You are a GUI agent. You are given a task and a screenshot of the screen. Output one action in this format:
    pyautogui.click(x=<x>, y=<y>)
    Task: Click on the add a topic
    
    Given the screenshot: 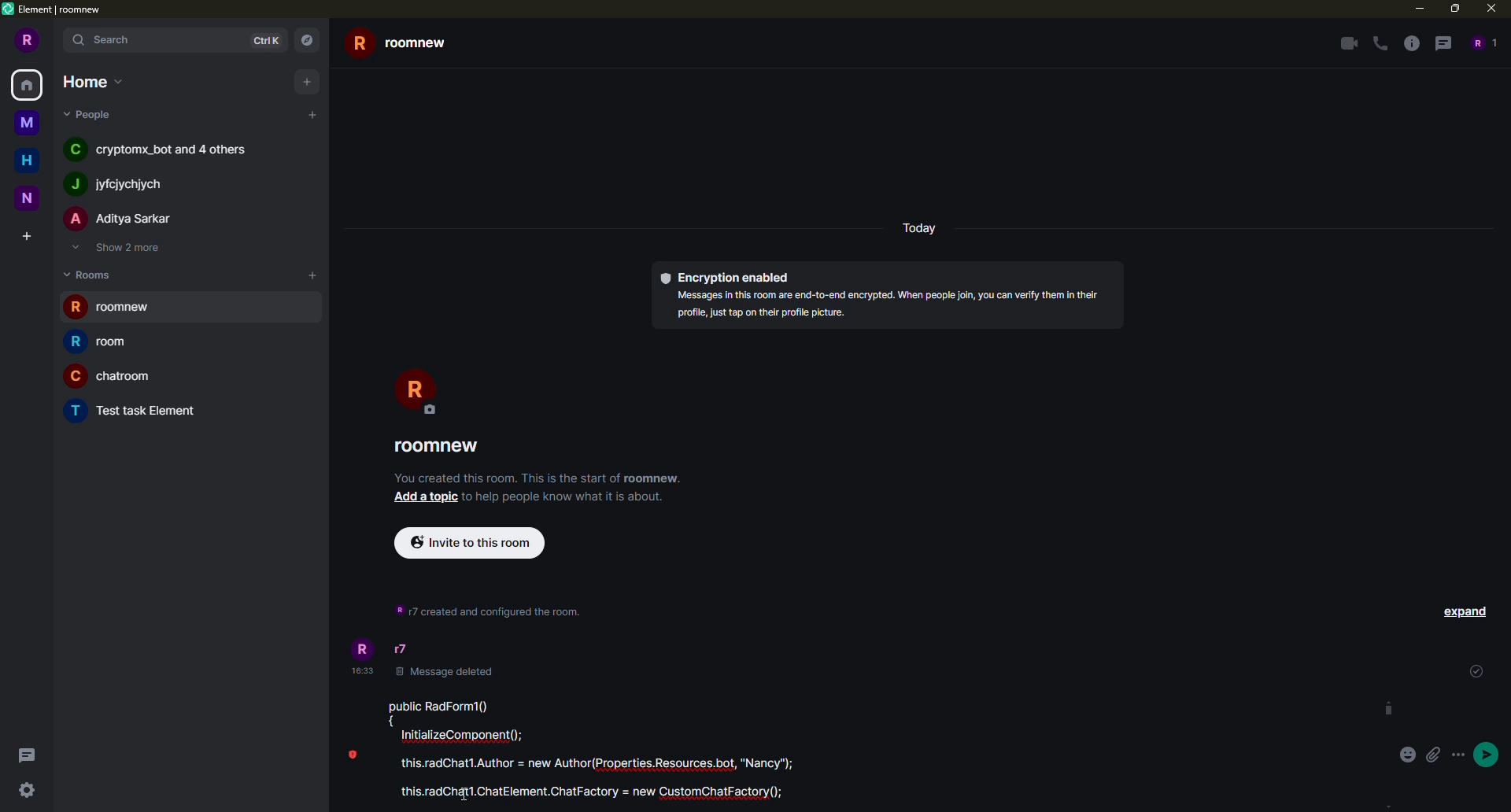 What is the action you would take?
    pyautogui.click(x=426, y=497)
    